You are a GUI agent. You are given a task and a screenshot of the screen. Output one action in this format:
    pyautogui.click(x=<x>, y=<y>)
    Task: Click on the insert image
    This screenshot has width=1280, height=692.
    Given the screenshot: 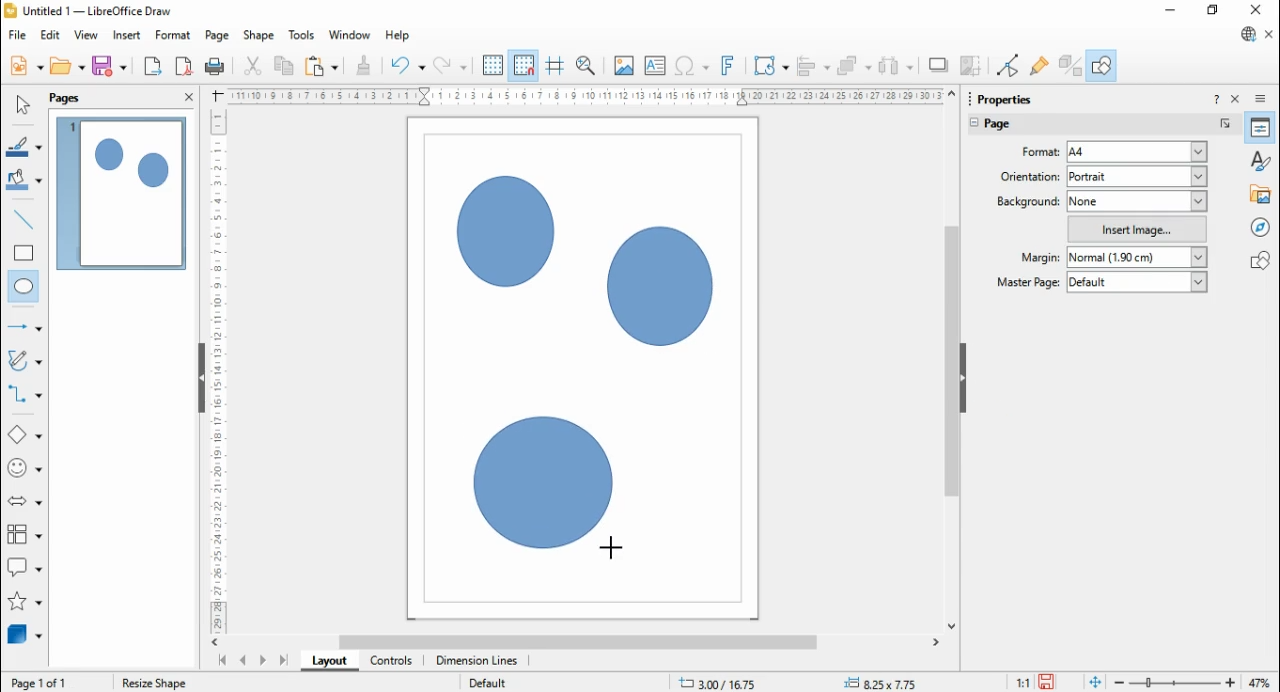 What is the action you would take?
    pyautogui.click(x=623, y=65)
    